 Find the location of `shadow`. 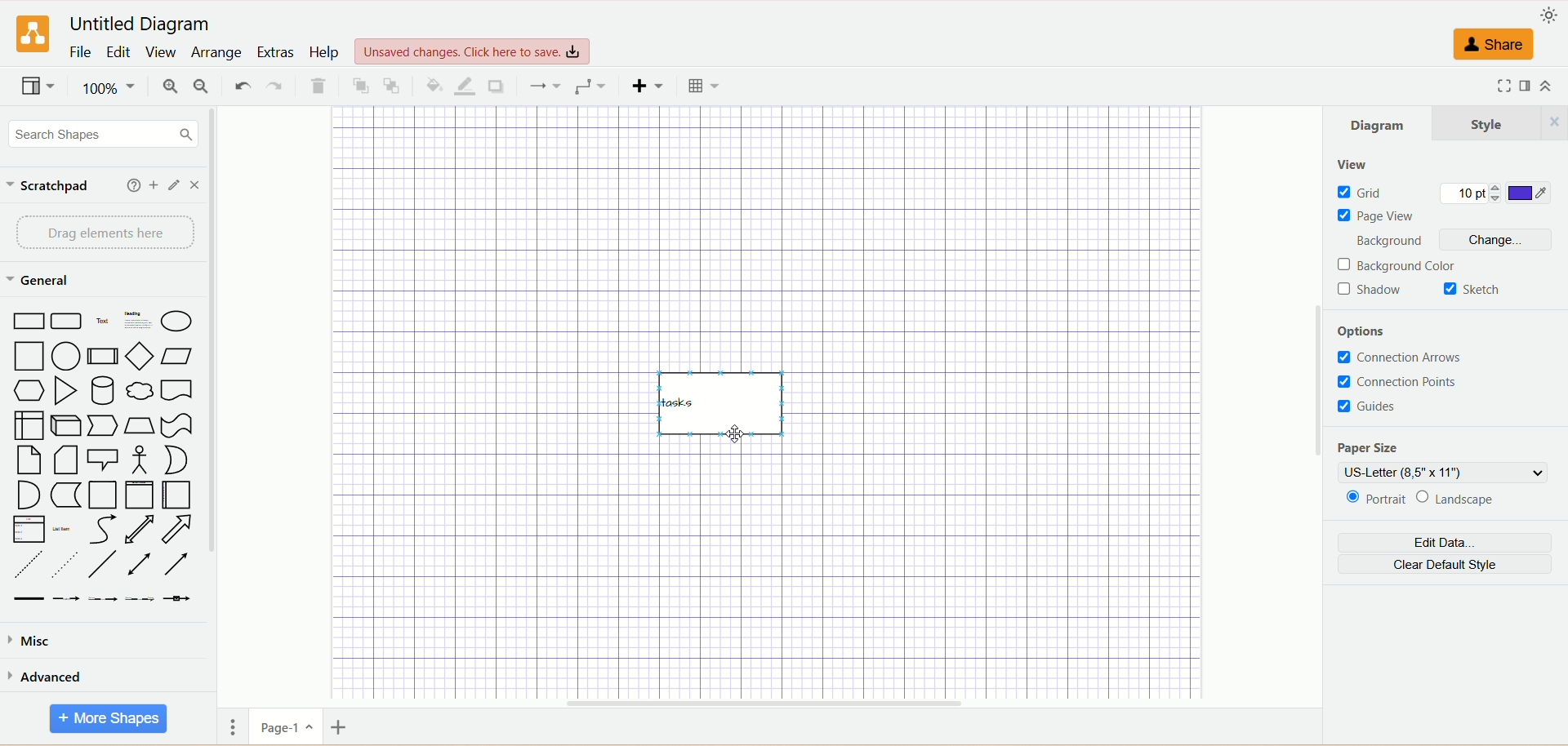

shadow is located at coordinates (1370, 291).